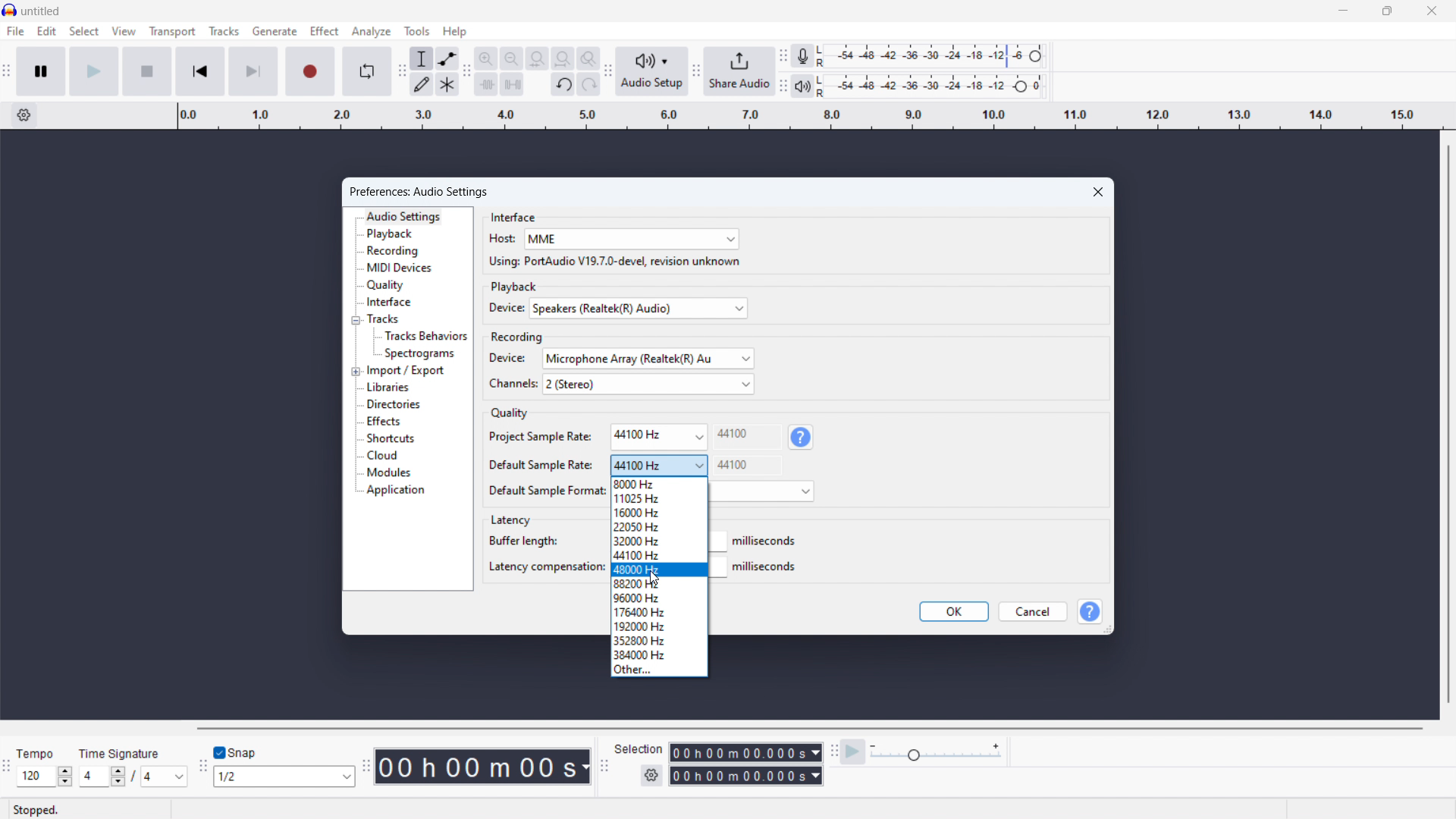 The width and height of the screenshot is (1456, 819). Describe the element at coordinates (936, 752) in the screenshot. I see `playback speed` at that location.